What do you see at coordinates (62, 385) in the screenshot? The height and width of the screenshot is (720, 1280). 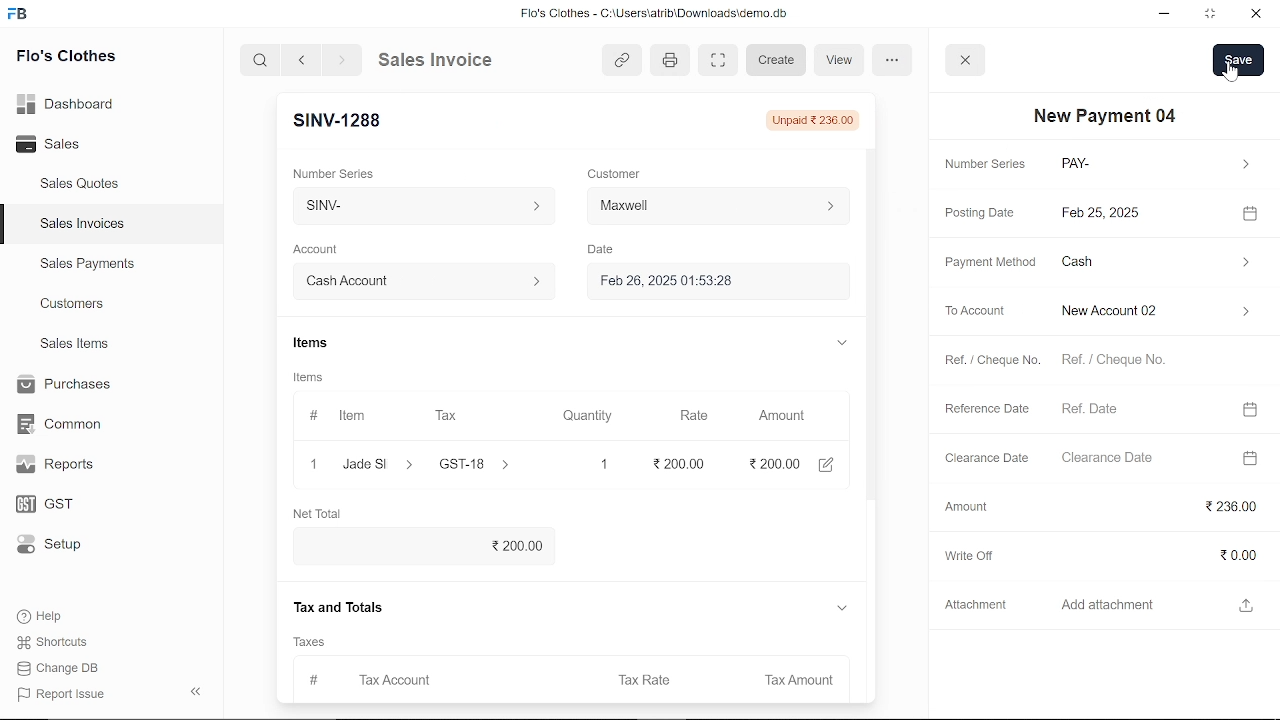 I see `Purchases` at bounding box center [62, 385].